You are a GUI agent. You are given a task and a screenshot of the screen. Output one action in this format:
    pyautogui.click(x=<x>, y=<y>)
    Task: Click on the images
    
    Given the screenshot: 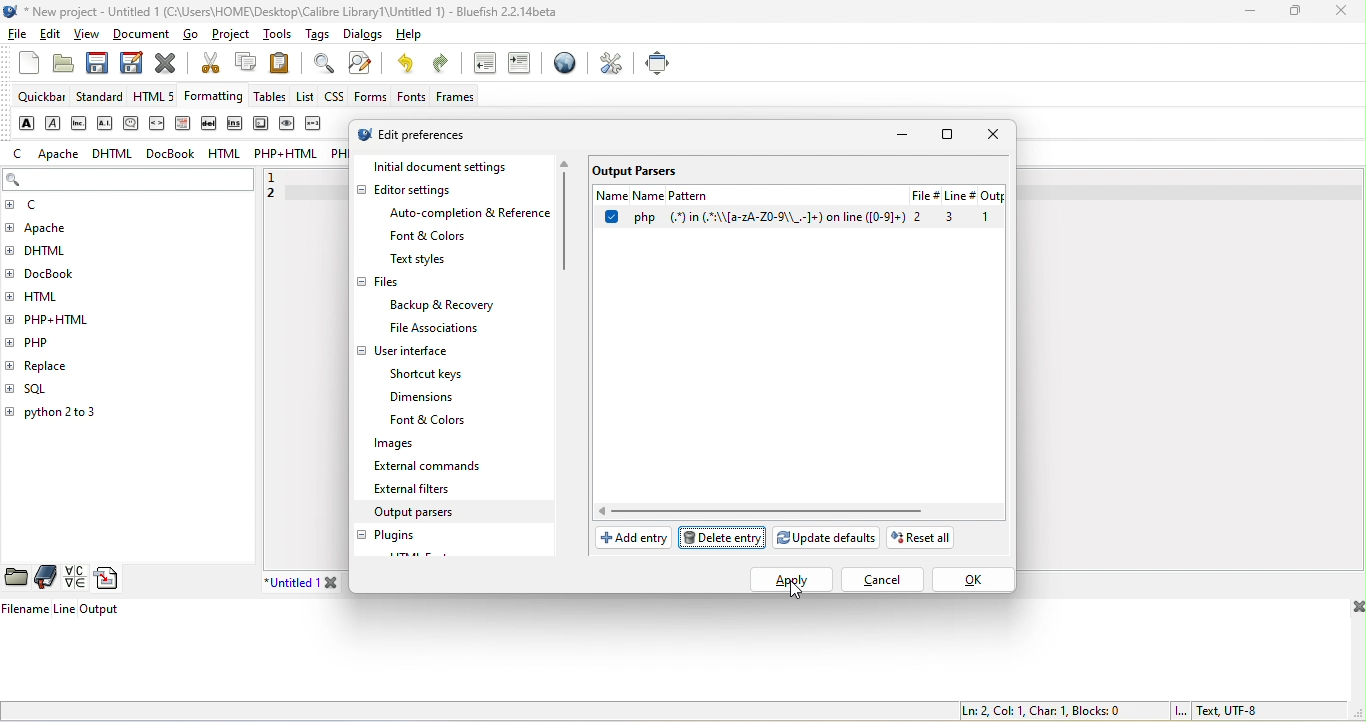 What is the action you would take?
    pyautogui.click(x=385, y=445)
    